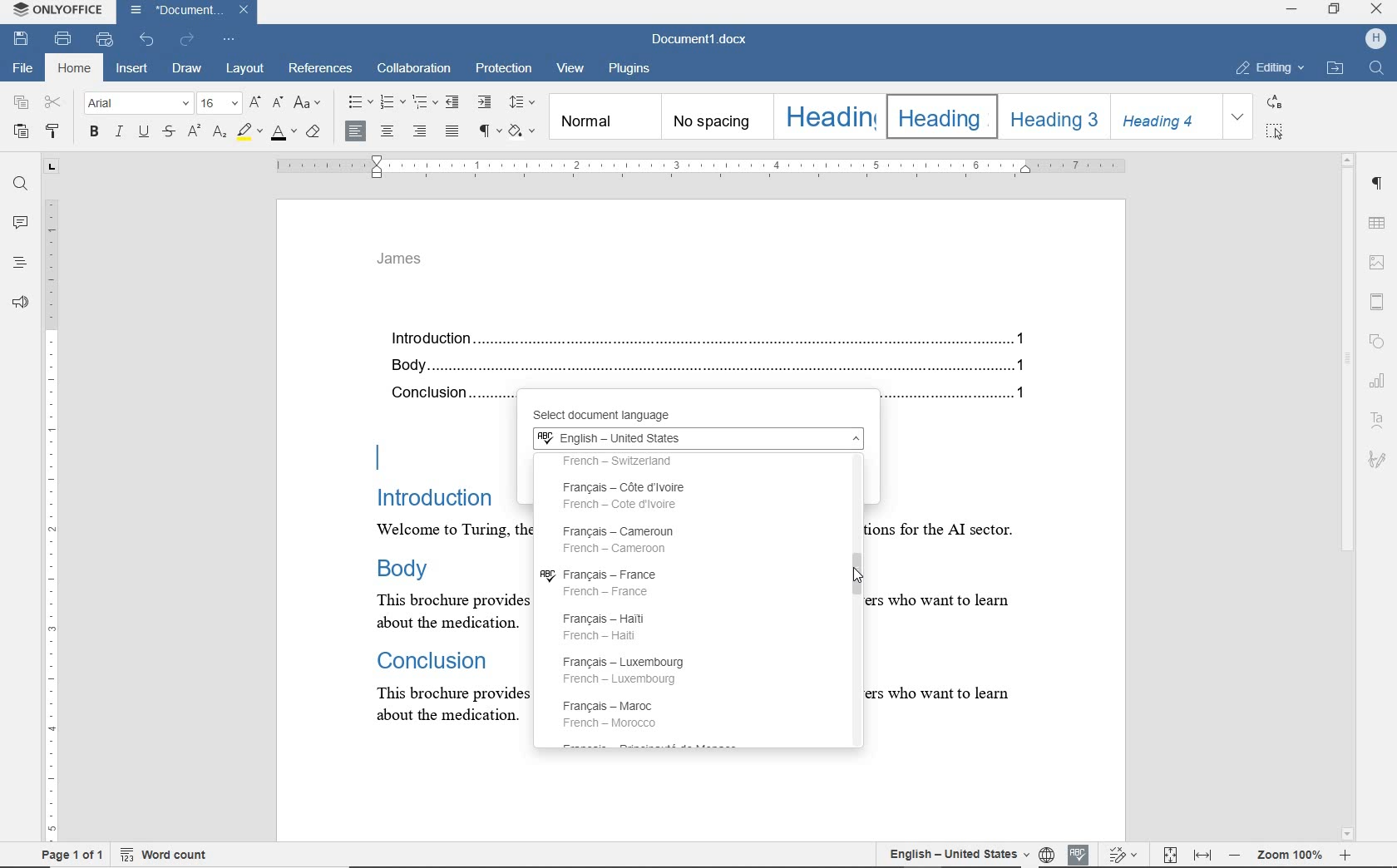 This screenshot has height=868, width=1397. I want to click on profile, so click(1378, 37).